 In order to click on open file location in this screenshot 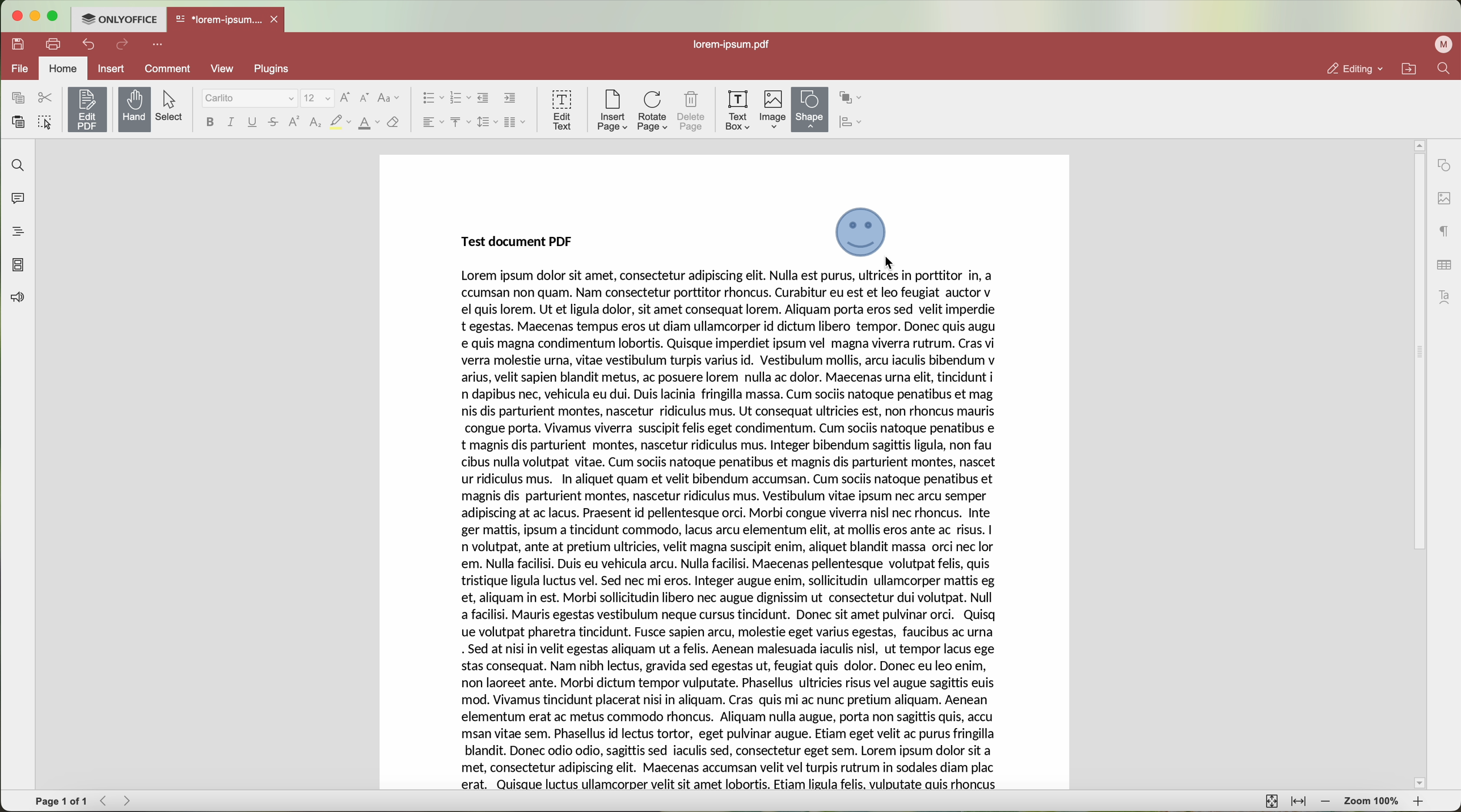, I will do `click(1409, 69)`.